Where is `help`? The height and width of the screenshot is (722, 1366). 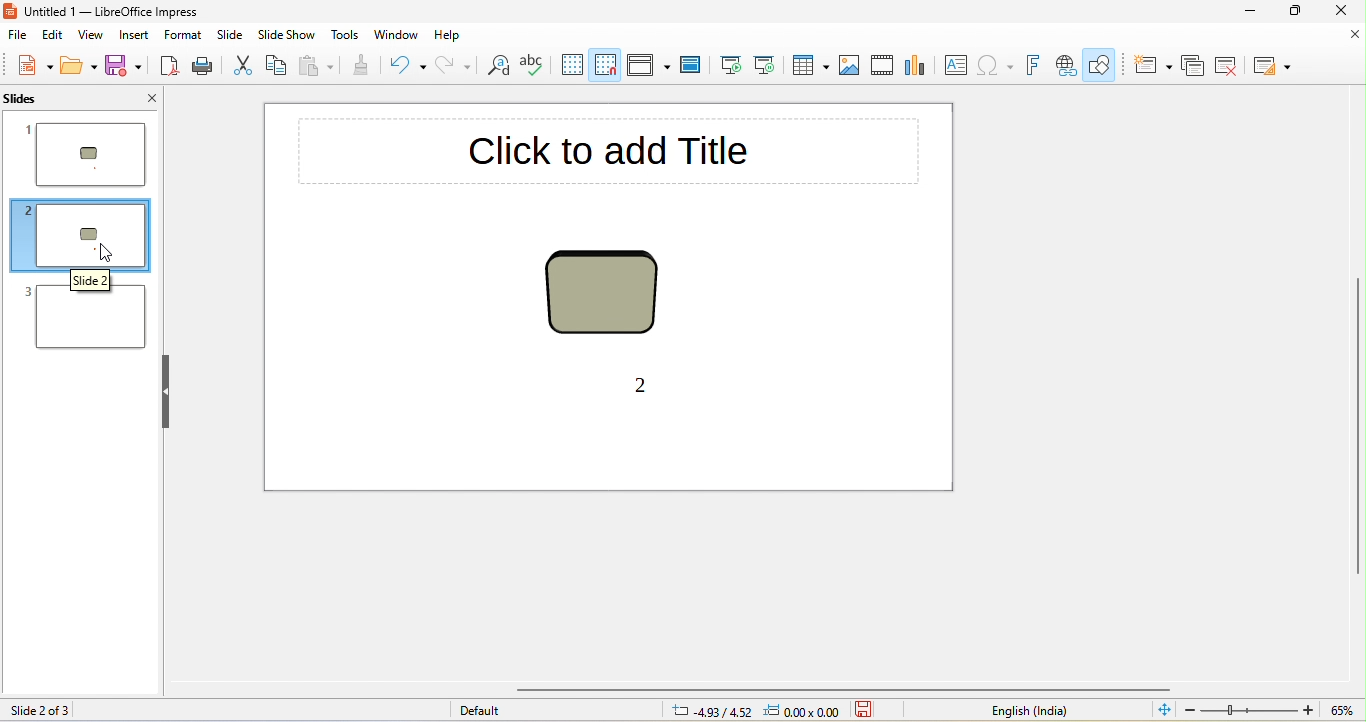
help is located at coordinates (453, 35).